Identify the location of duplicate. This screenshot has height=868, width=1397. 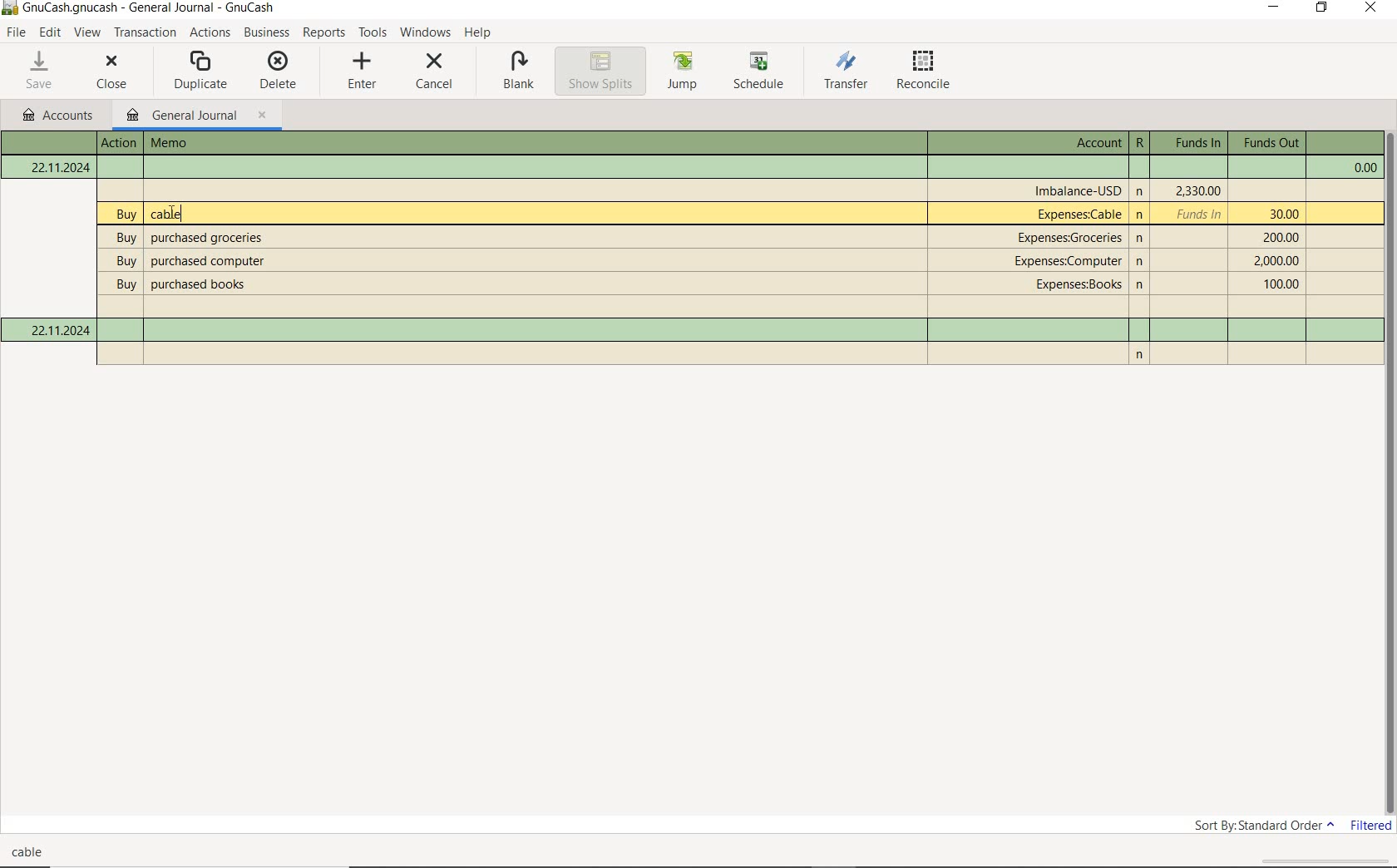
(202, 72).